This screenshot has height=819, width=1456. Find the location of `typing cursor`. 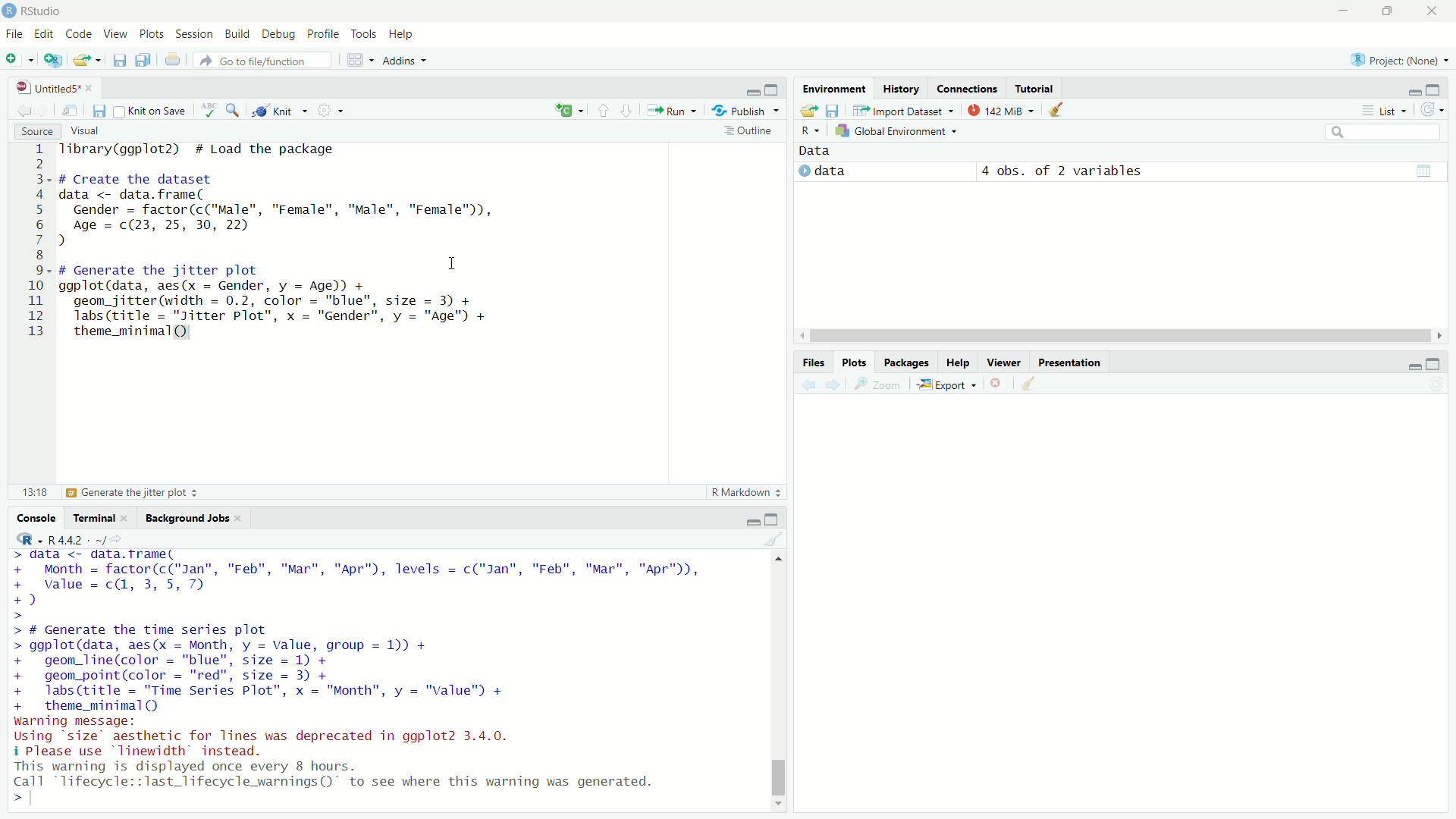

typing cursor is located at coordinates (44, 803).